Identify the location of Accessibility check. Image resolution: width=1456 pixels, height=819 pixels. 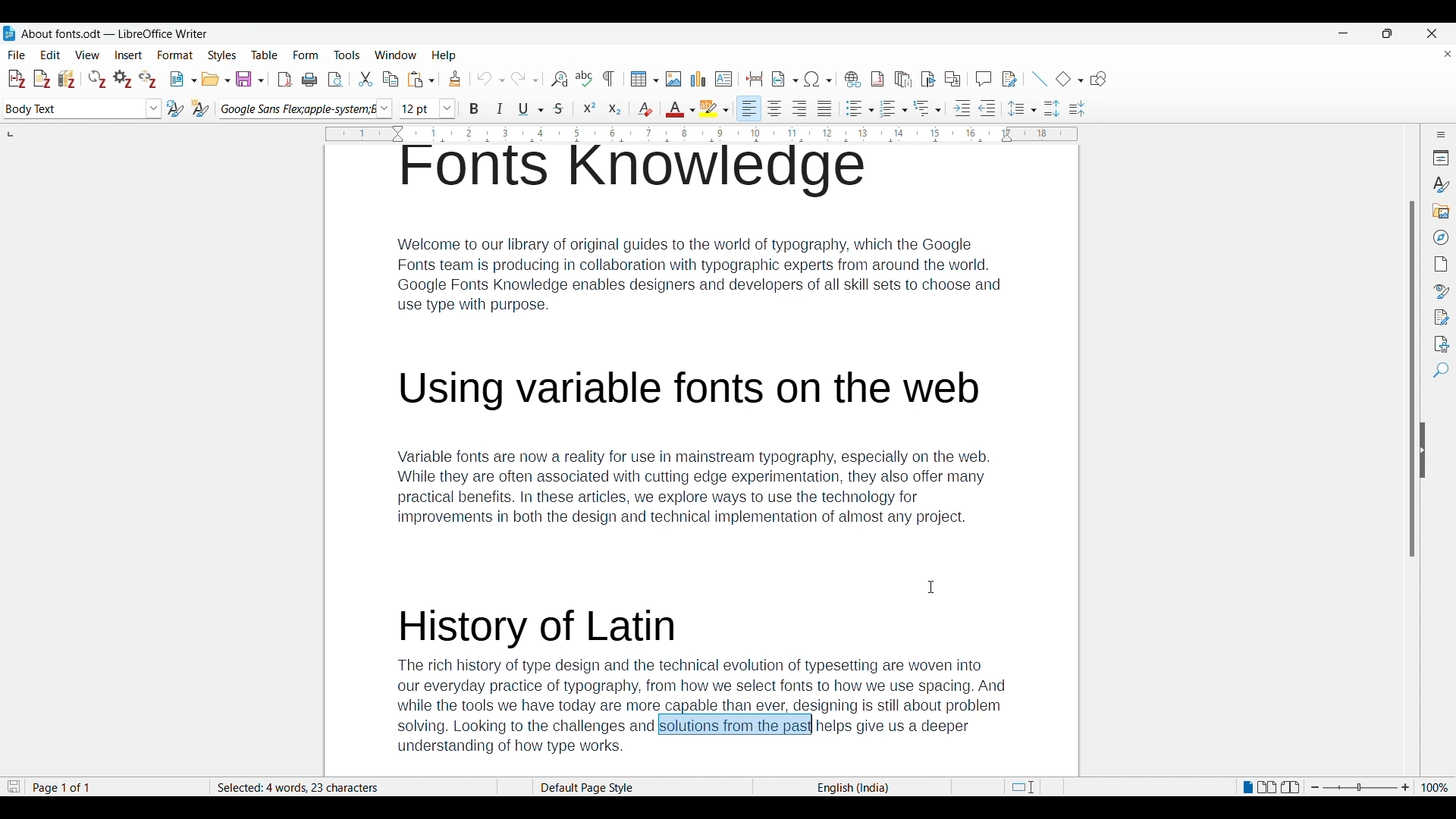
(1439, 344).